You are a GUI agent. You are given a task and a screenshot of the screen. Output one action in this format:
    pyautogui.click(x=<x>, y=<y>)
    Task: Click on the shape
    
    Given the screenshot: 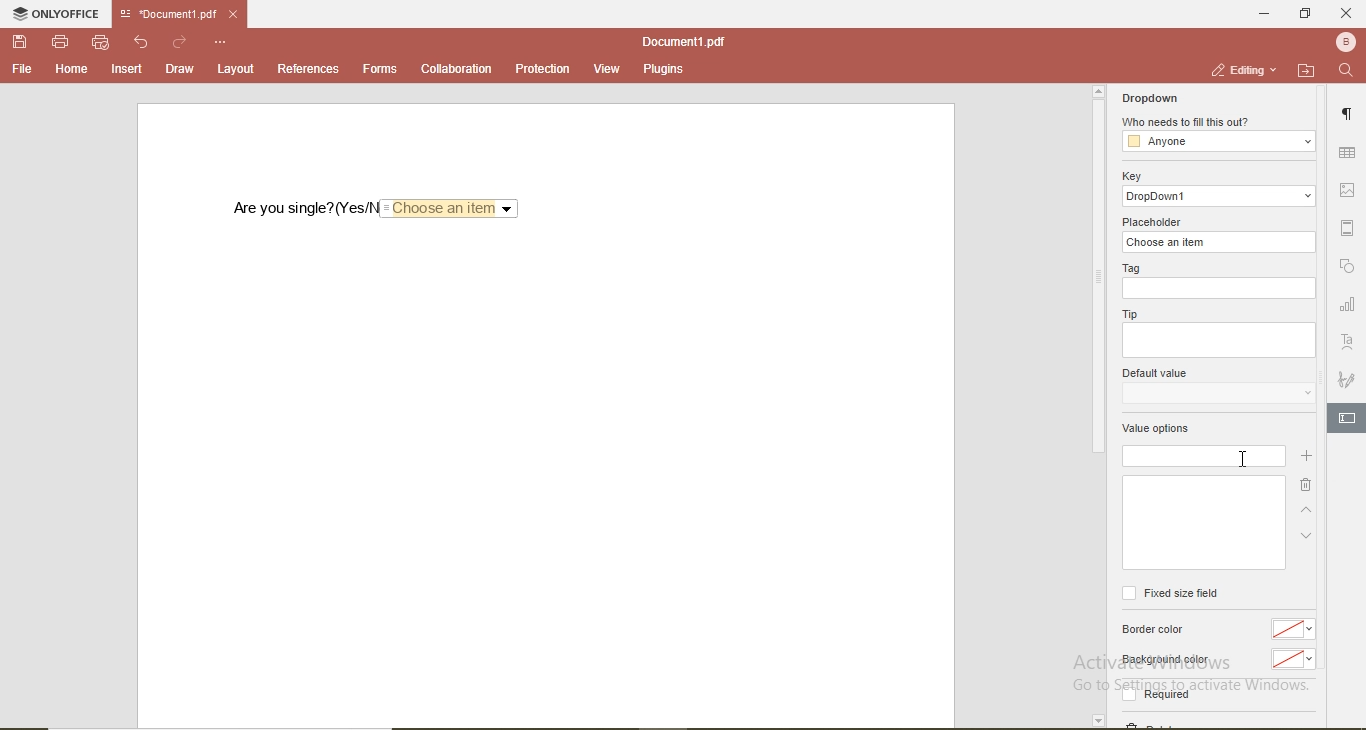 What is the action you would take?
    pyautogui.click(x=1351, y=269)
    